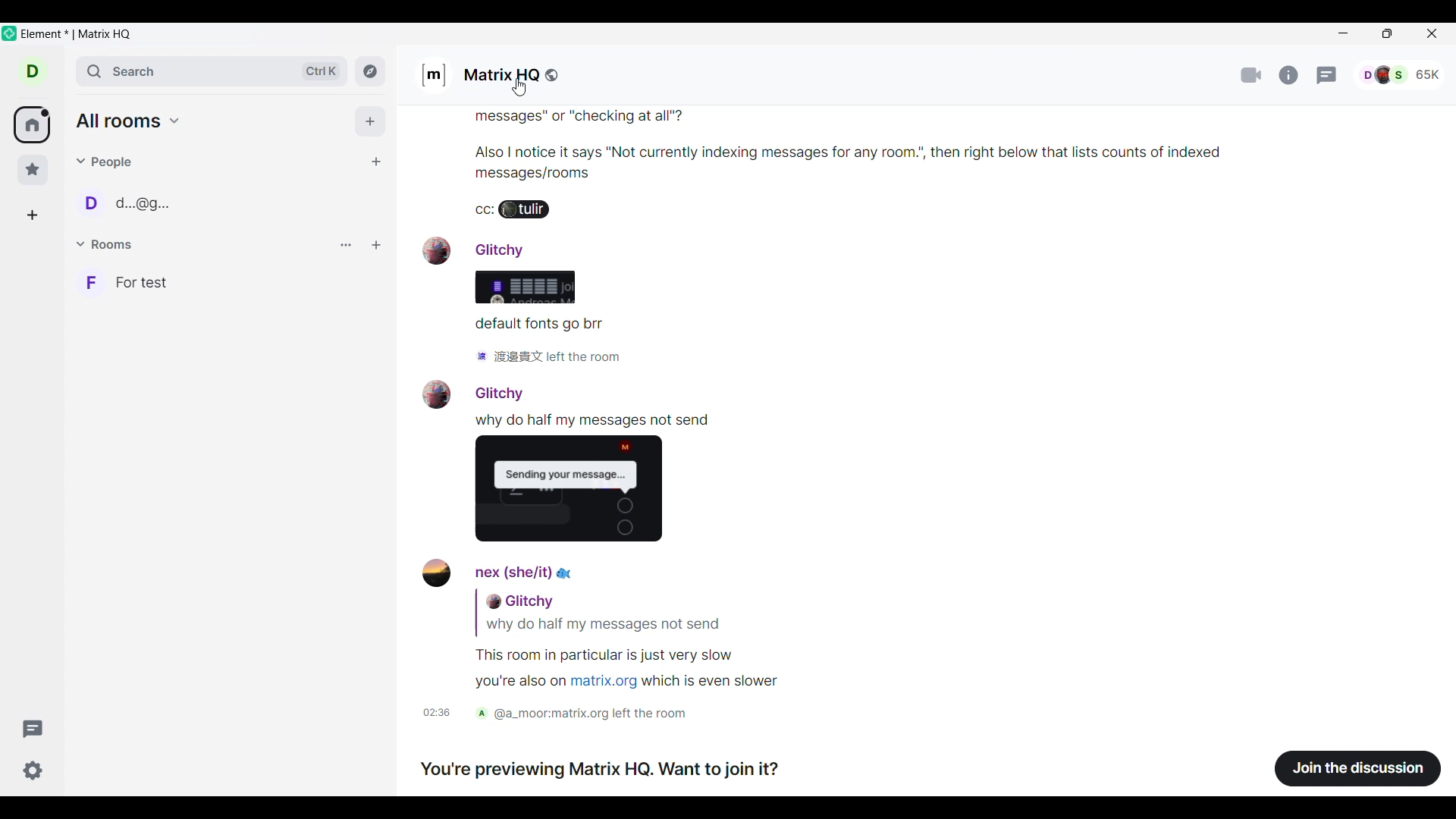 The height and width of the screenshot is (819, 1456). I want to click on Video call, so click(1253, 74).